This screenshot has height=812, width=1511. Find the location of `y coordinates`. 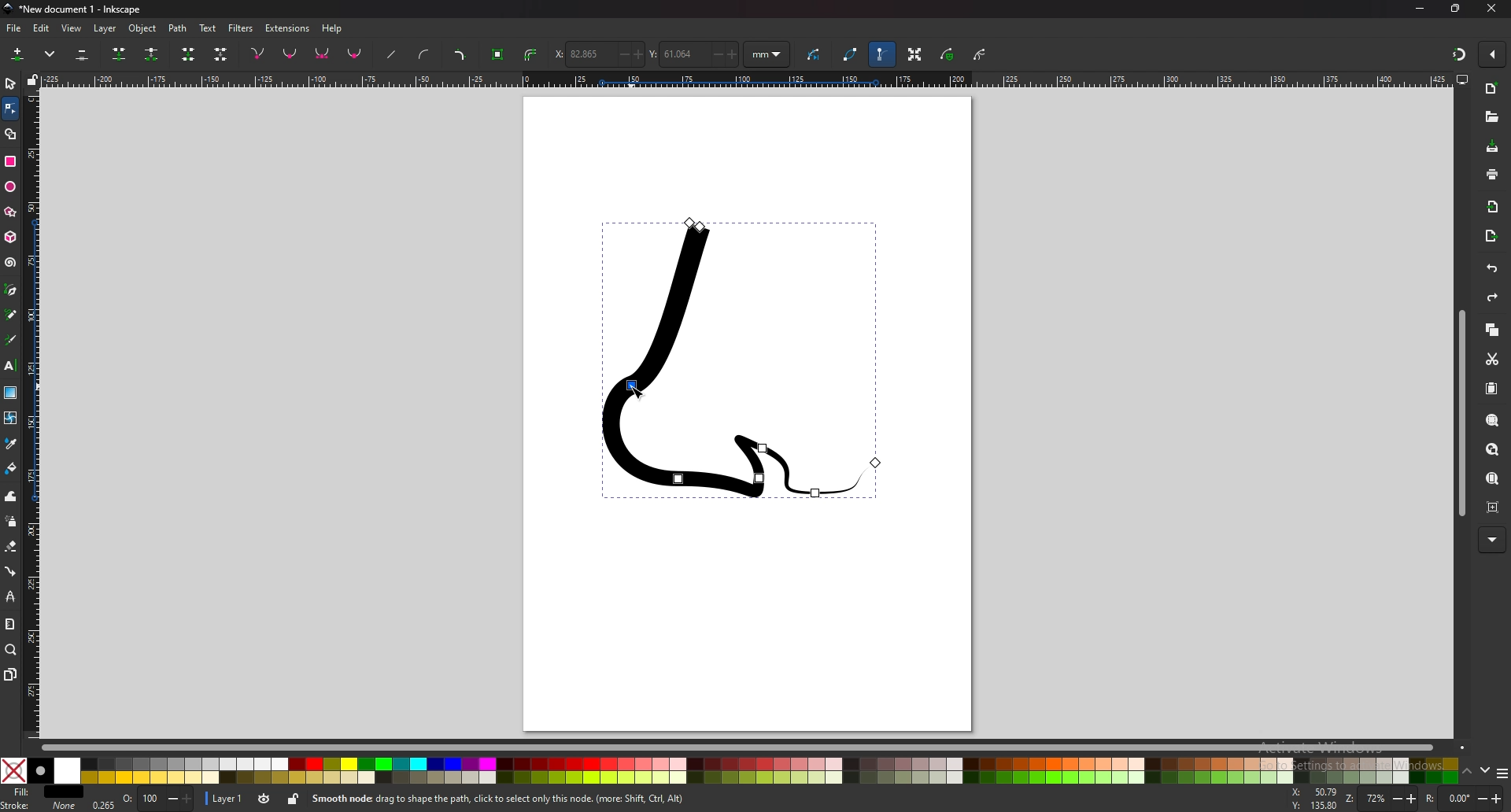

y coordinates is located at coordinates (693, 54).